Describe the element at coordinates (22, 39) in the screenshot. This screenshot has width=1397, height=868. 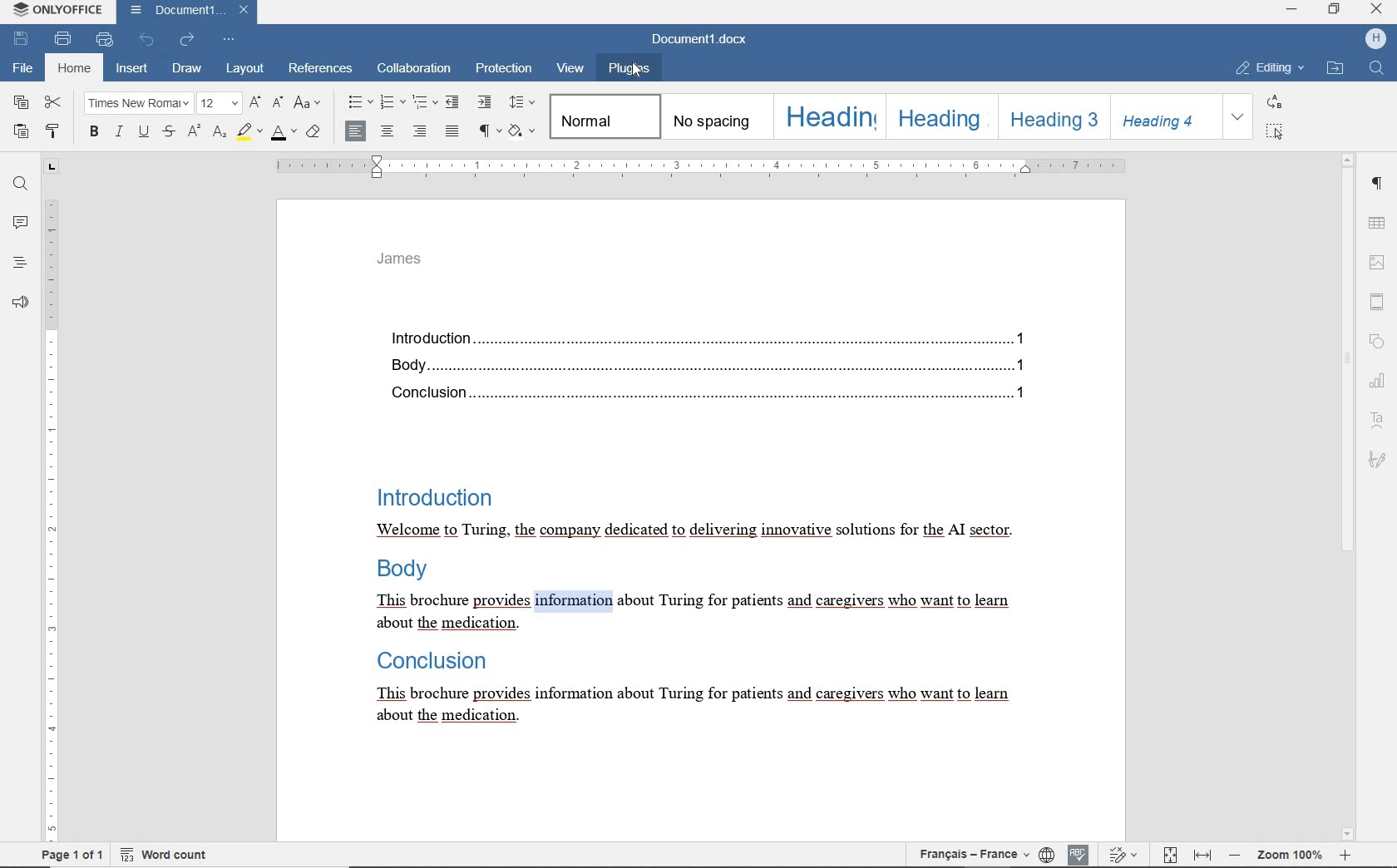
I see `SAVE` at that location.